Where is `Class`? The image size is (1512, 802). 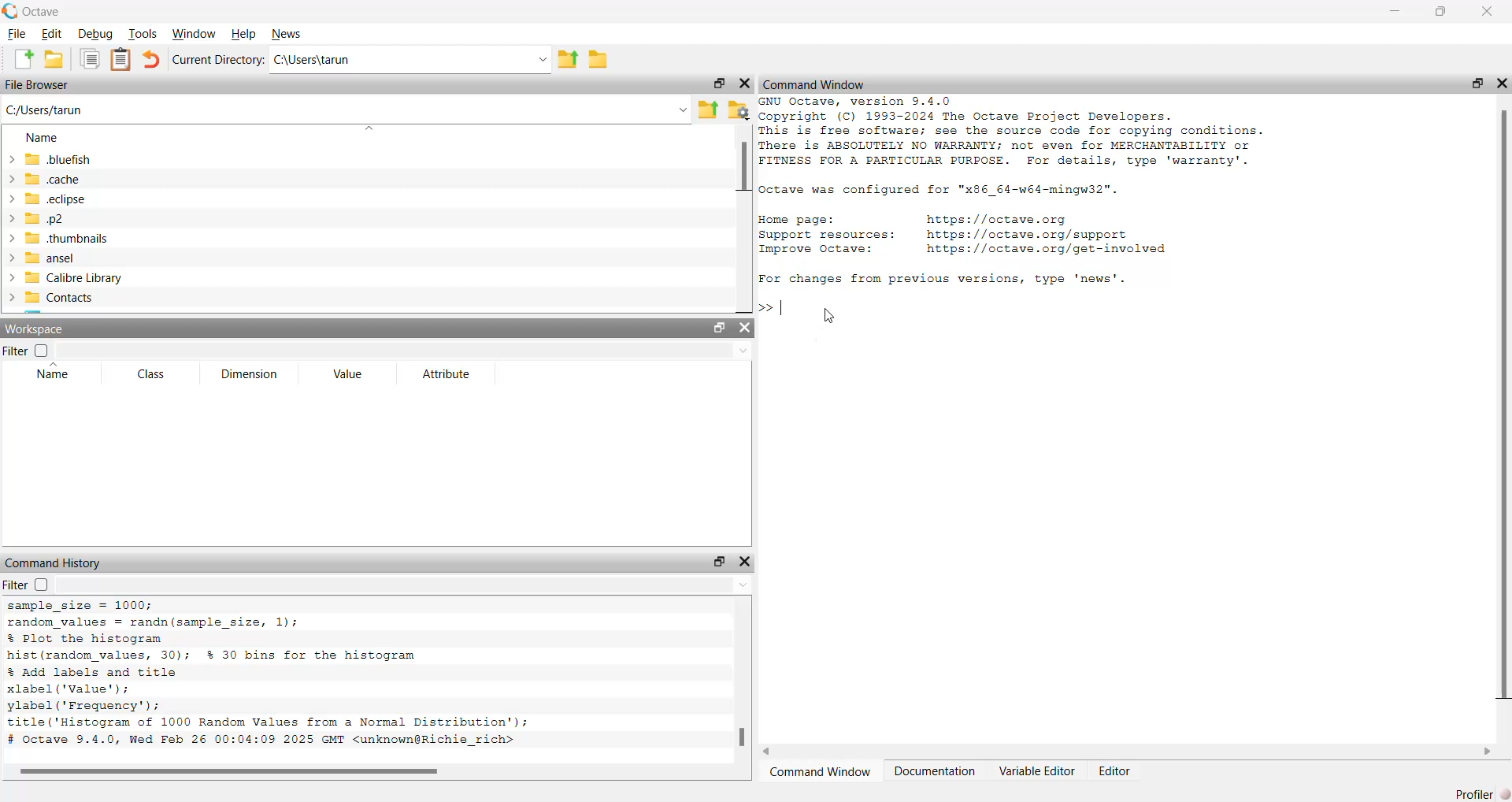
Class is located at coordinates (155, 374).